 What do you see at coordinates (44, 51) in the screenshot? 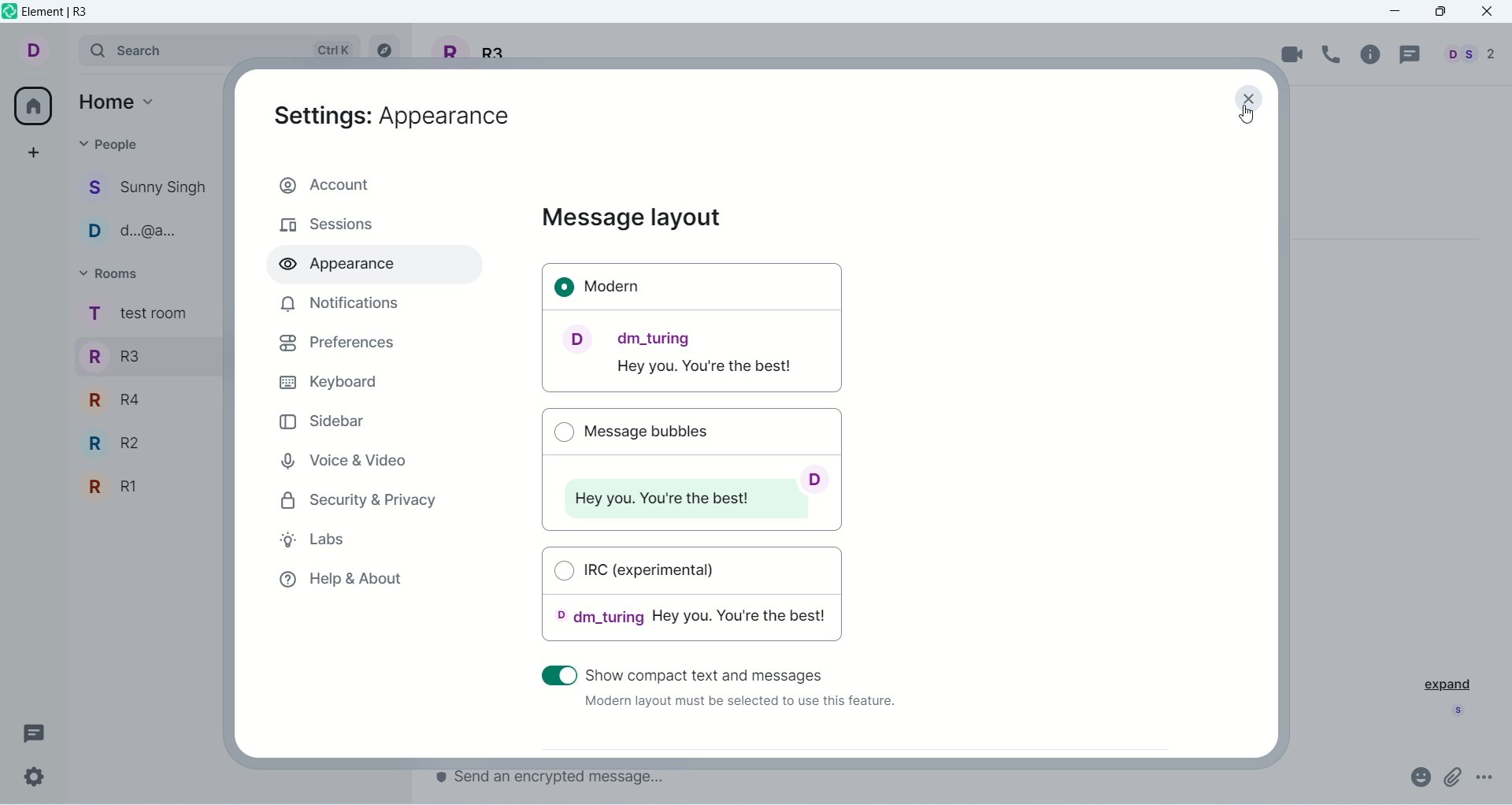
I see `account` at bounding box center [44, 51].